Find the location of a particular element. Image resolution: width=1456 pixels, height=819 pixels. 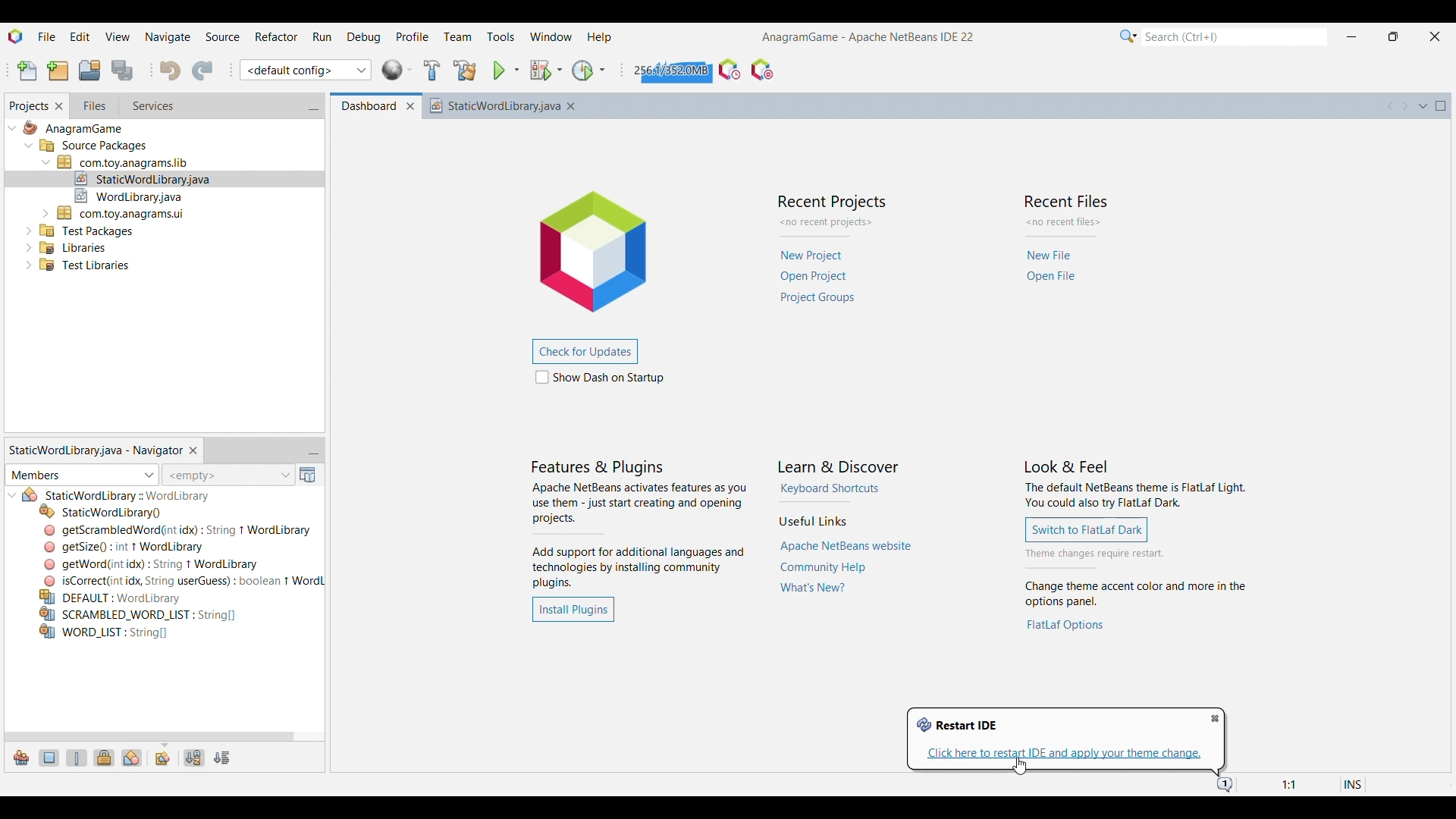

Recent Projects is located at coordinates (830, 202).